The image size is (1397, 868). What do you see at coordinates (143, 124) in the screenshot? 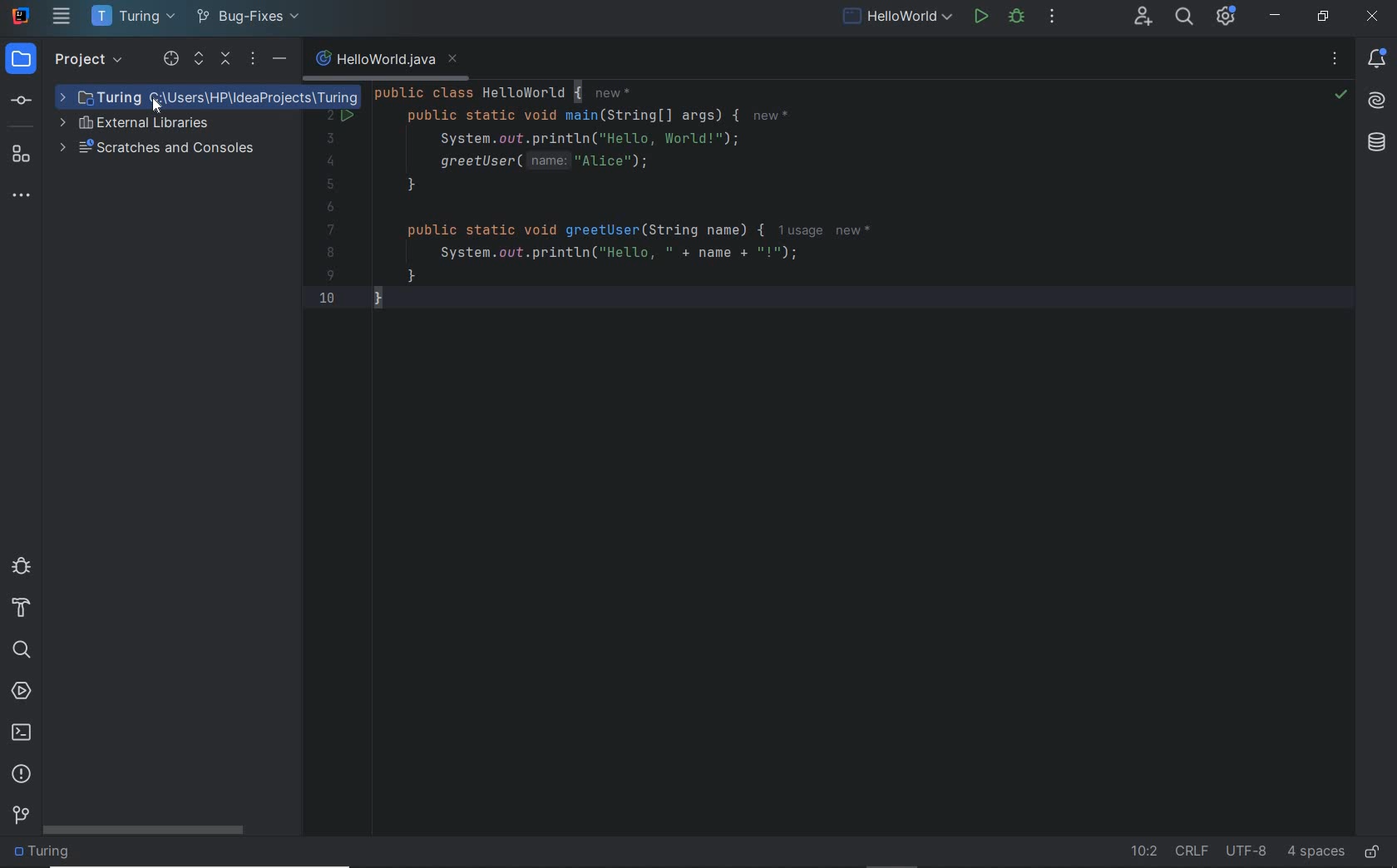
I see `external libraries` at bounding box center [143, 124].